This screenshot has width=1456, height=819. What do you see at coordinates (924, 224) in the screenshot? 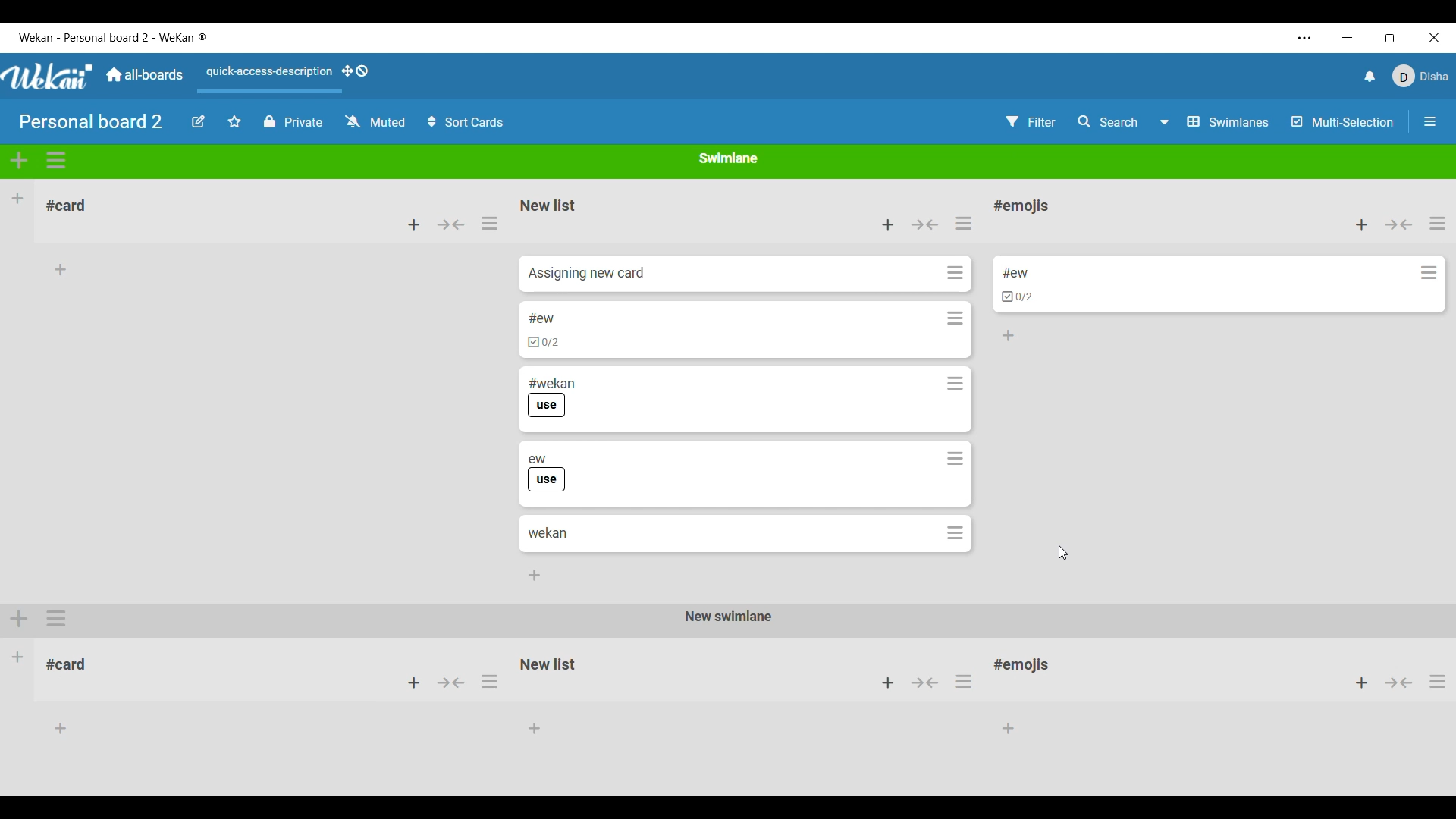
I see `Collapse` at bounding box center [924, 224].